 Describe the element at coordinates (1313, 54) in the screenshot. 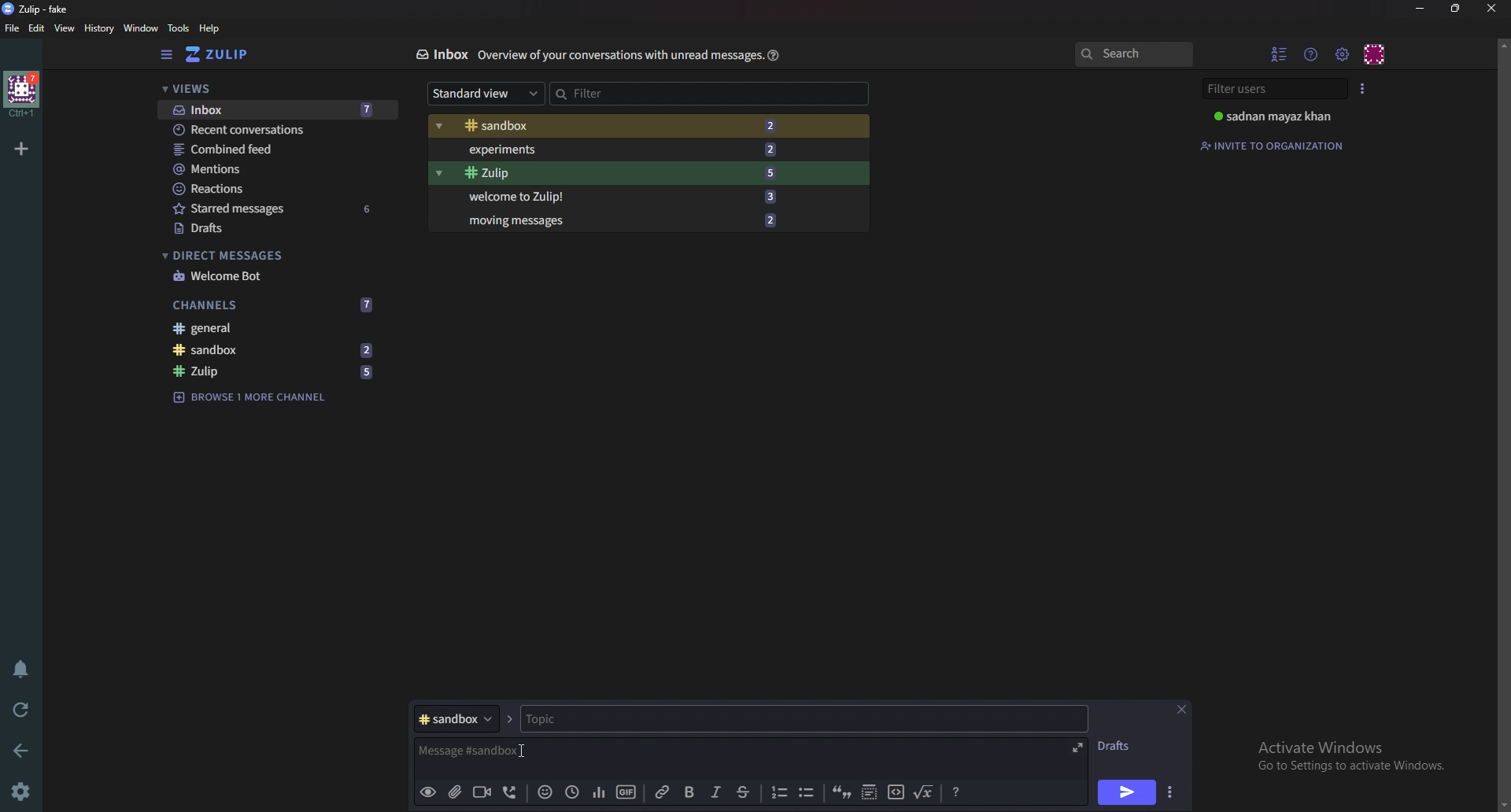

I see `Help menu` at that location.